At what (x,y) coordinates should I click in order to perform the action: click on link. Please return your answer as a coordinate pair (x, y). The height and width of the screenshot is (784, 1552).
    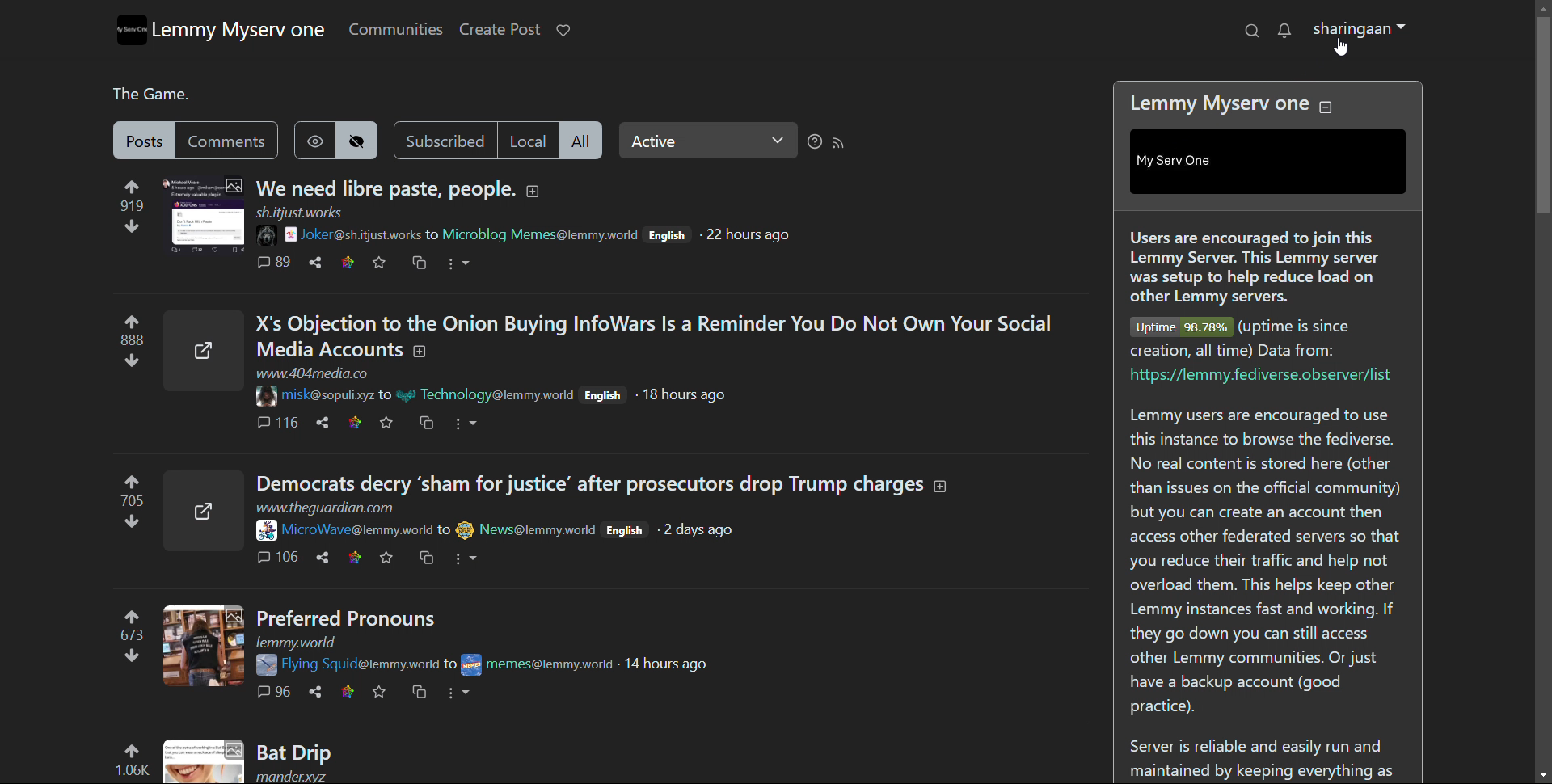
    Looking at the image, I should click on (358, 557).